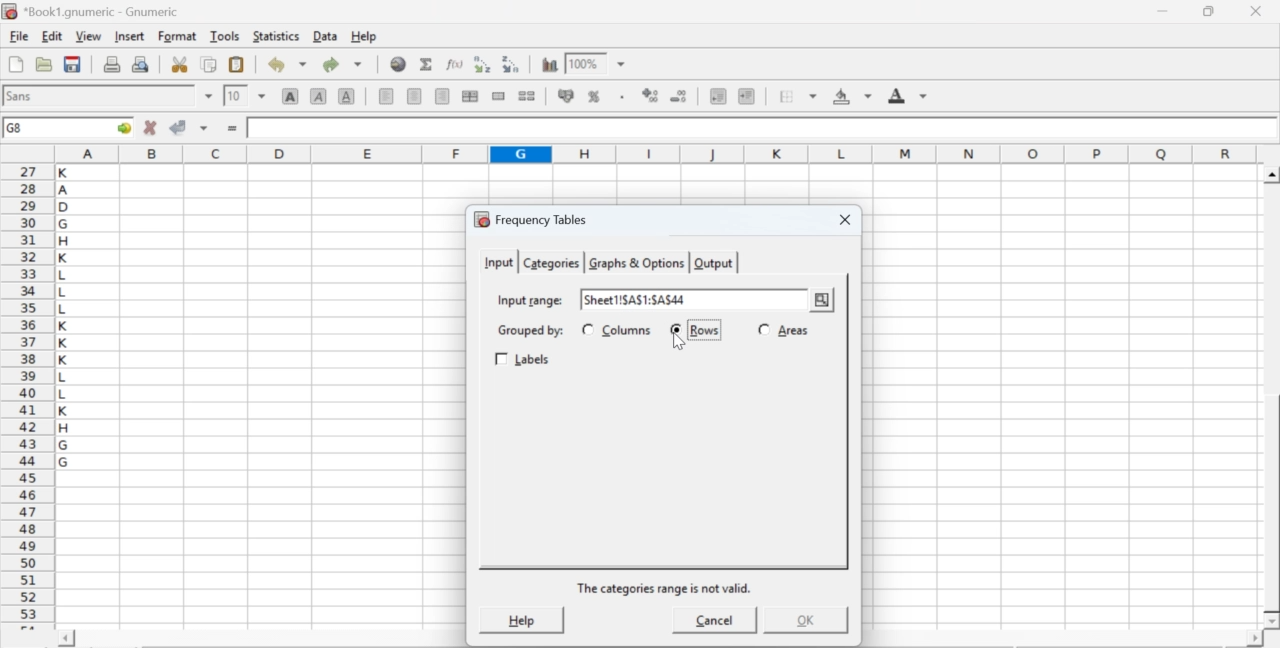 This screenshot has width=1280, height=648. What do you see at coordinates (1272, 398) in the screenshot?
I see `scroll bar` at bounding box center [1272, 398].